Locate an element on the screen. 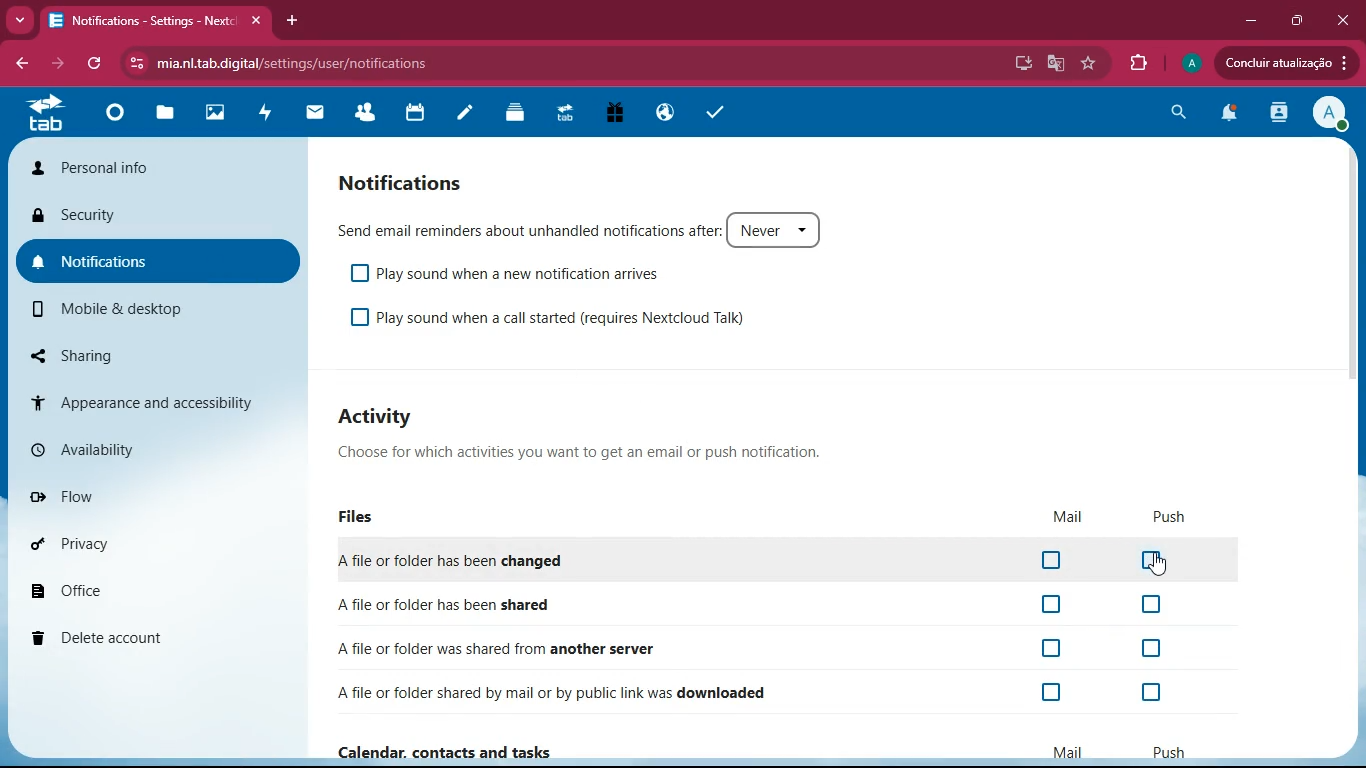 The width and height of the screenshot is (1366, 768). activity is located at coordinates (1278, 115).